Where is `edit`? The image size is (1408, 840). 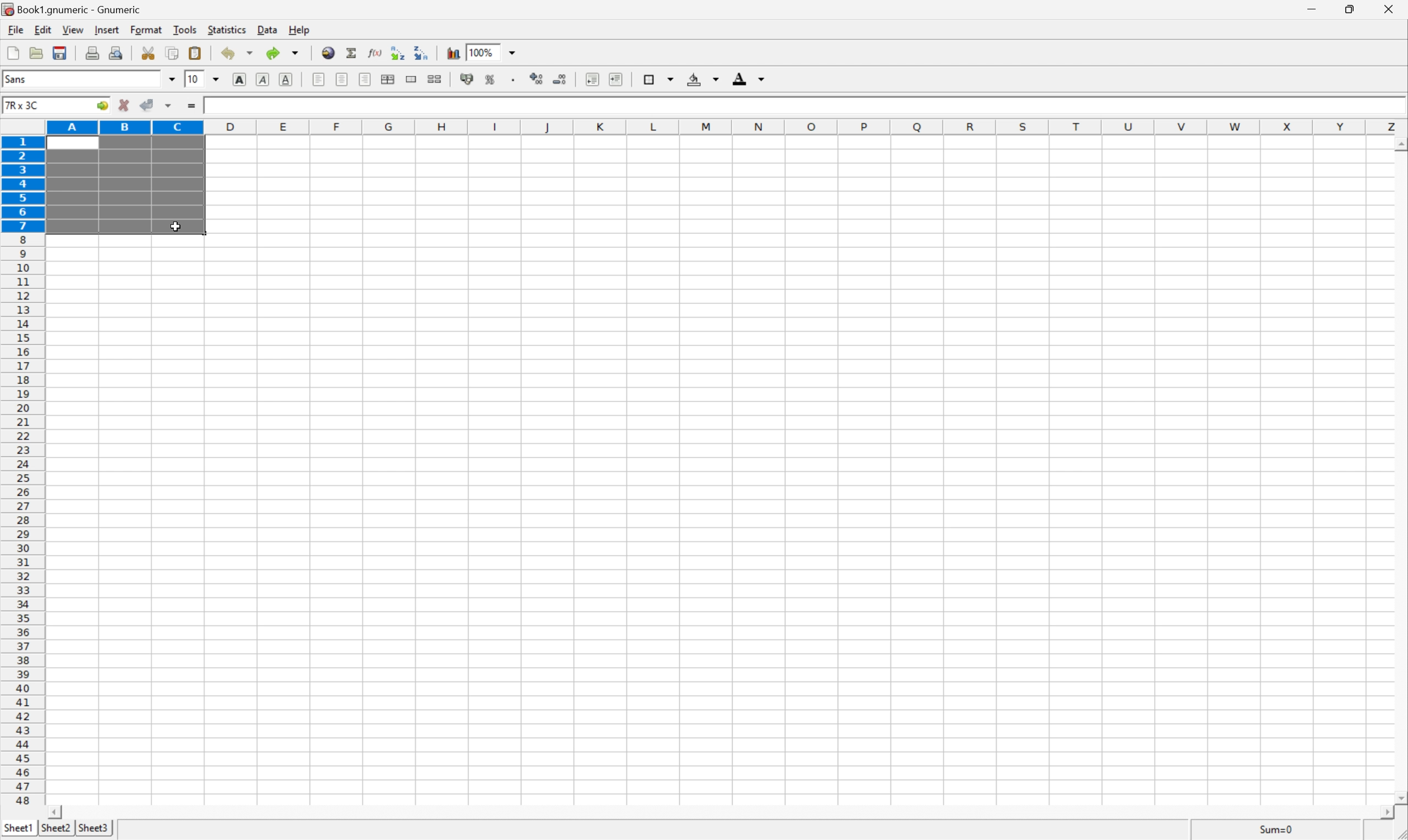
edit is located at coordinates (41, 29).